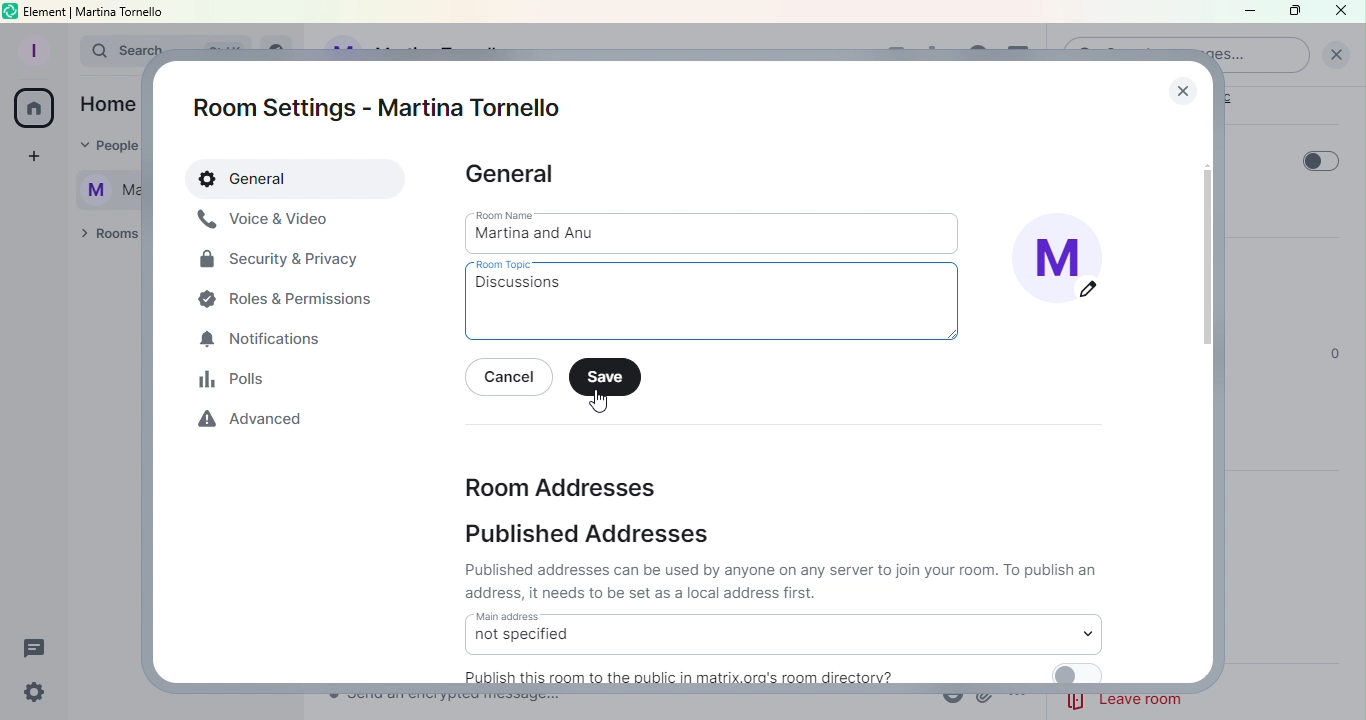 This screenshot has width=1366, height=720. I want to click on Close, so click(1178, 85).